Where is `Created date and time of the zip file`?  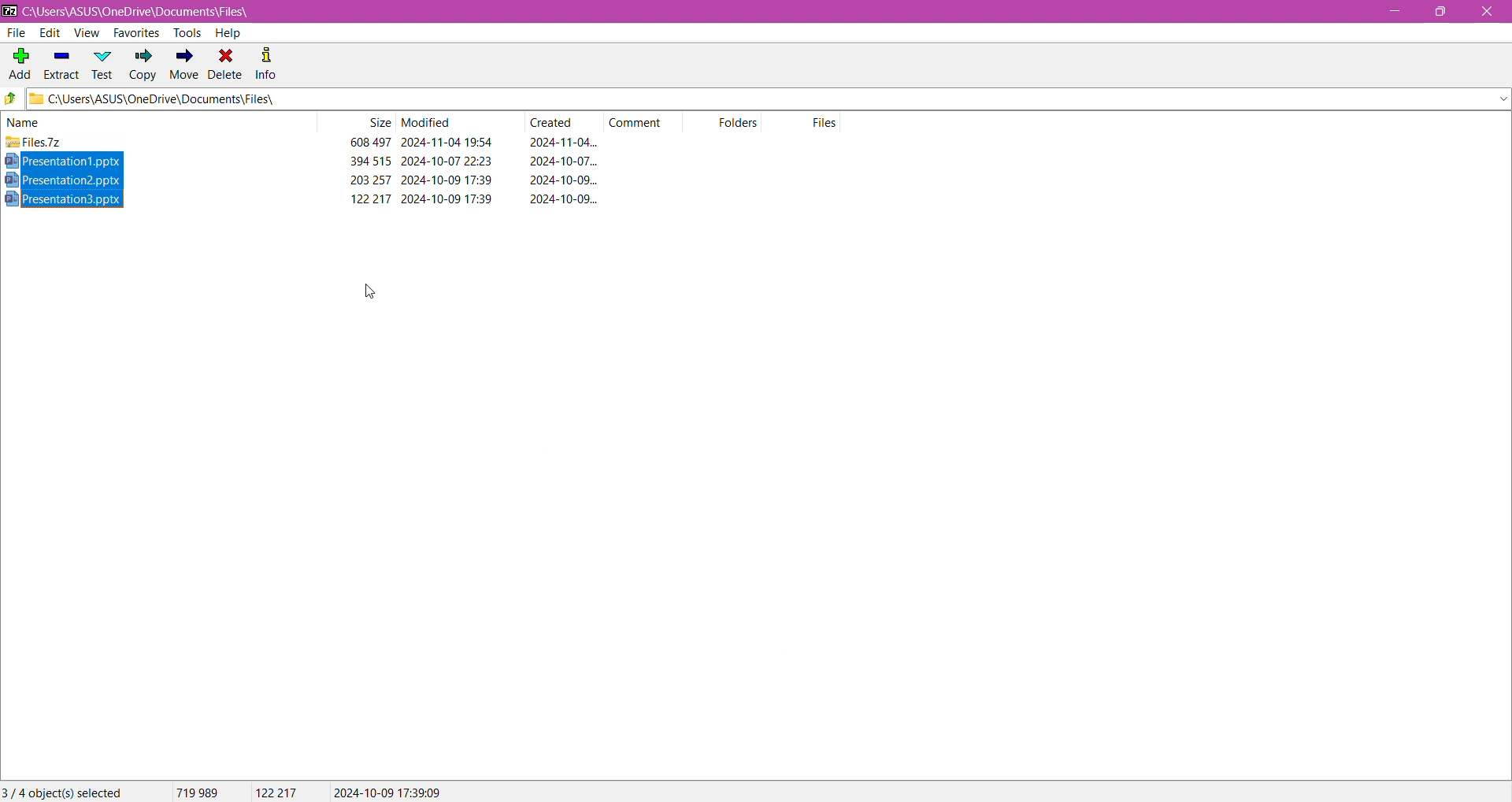 Created date and time of the zip file is located at coordinates (559, 143).